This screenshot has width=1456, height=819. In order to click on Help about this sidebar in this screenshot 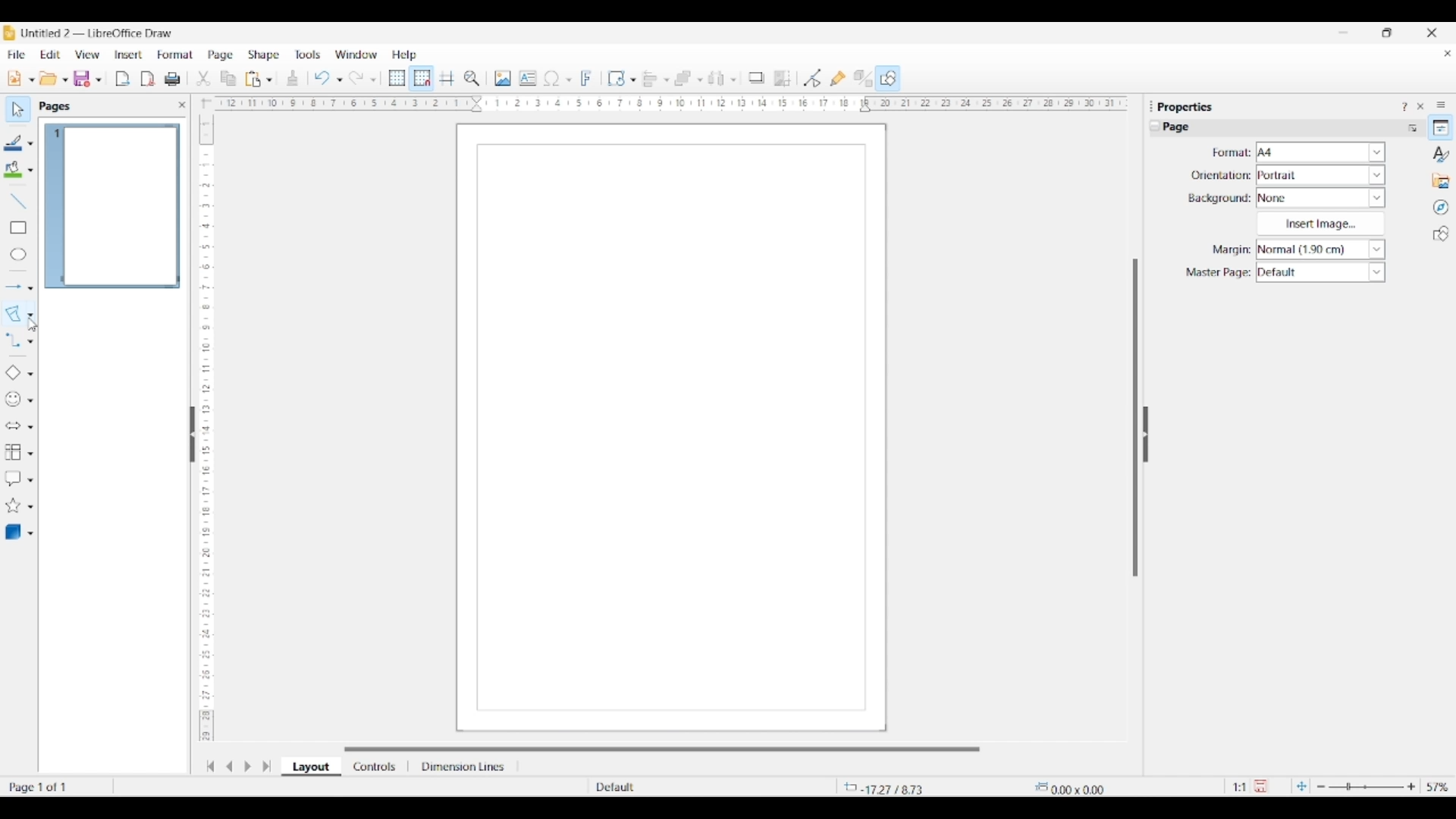, I will do `click(1404, 106)`.